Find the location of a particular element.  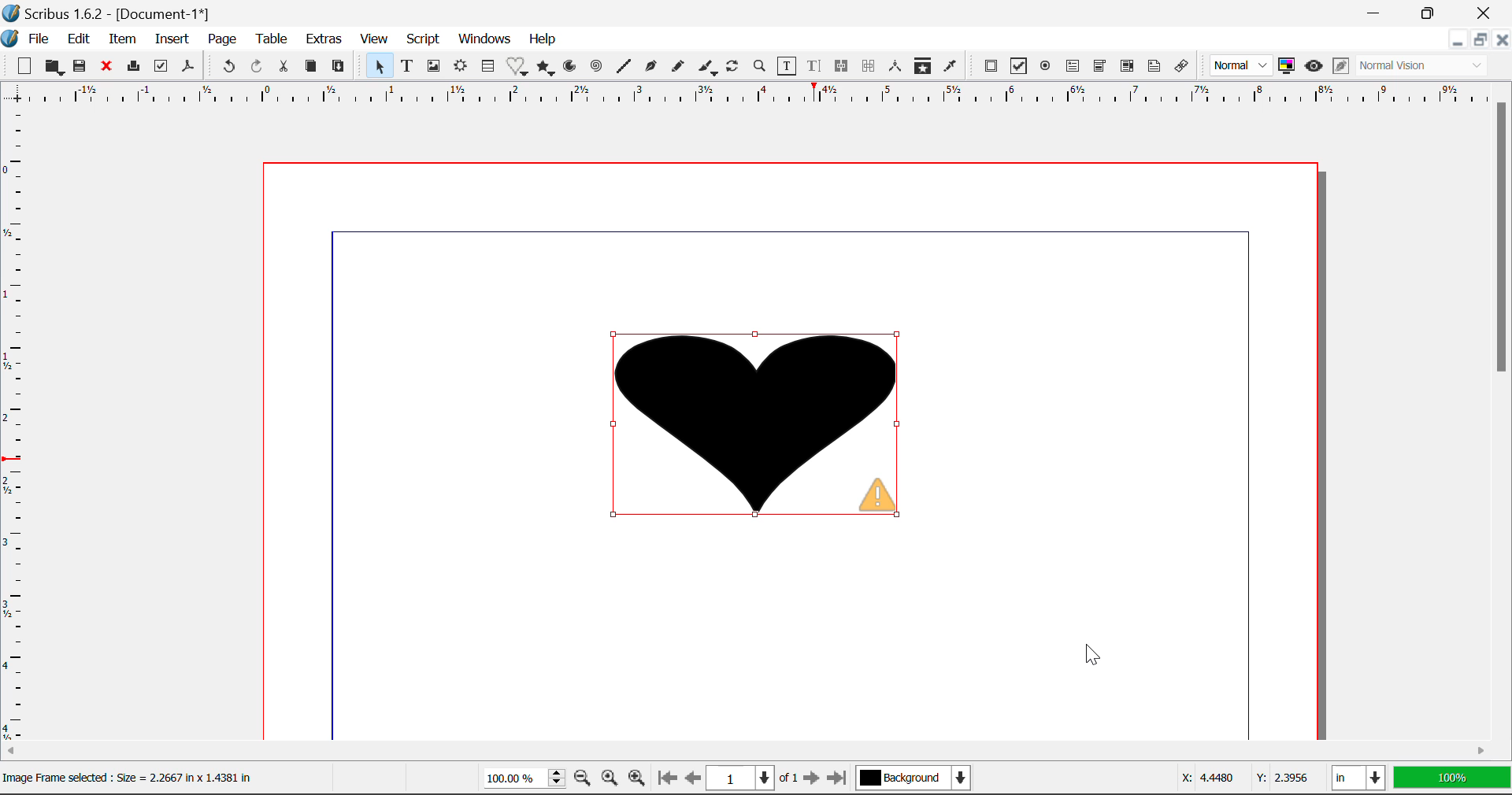

Save is located at coordinates (84, 68).